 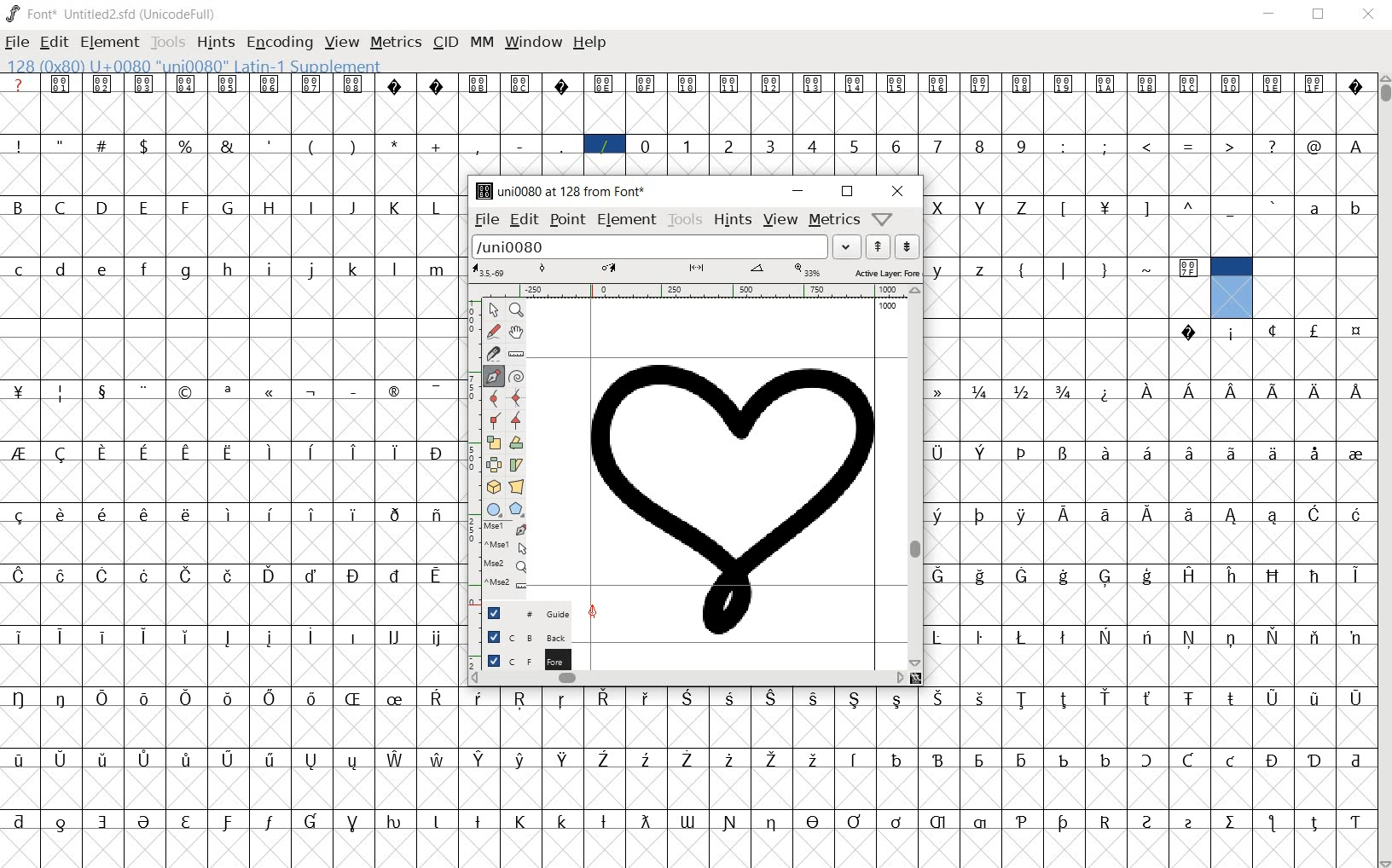 What do you see at coordinates (696, 273) in the screenshot?
I see `active layer` at bounding box center [696, 273].